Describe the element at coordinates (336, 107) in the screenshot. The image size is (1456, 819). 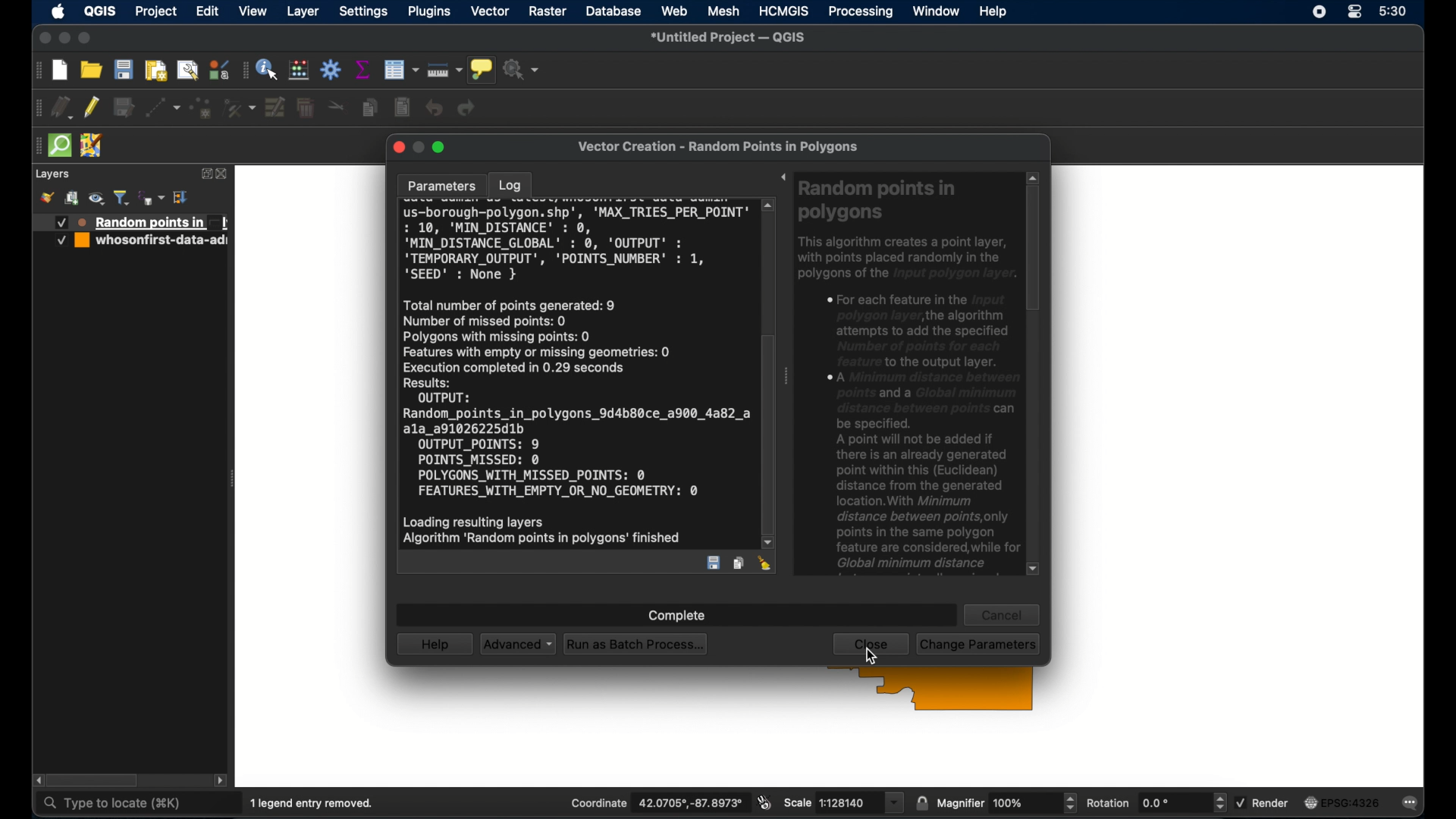
I see `cut features` at that location.